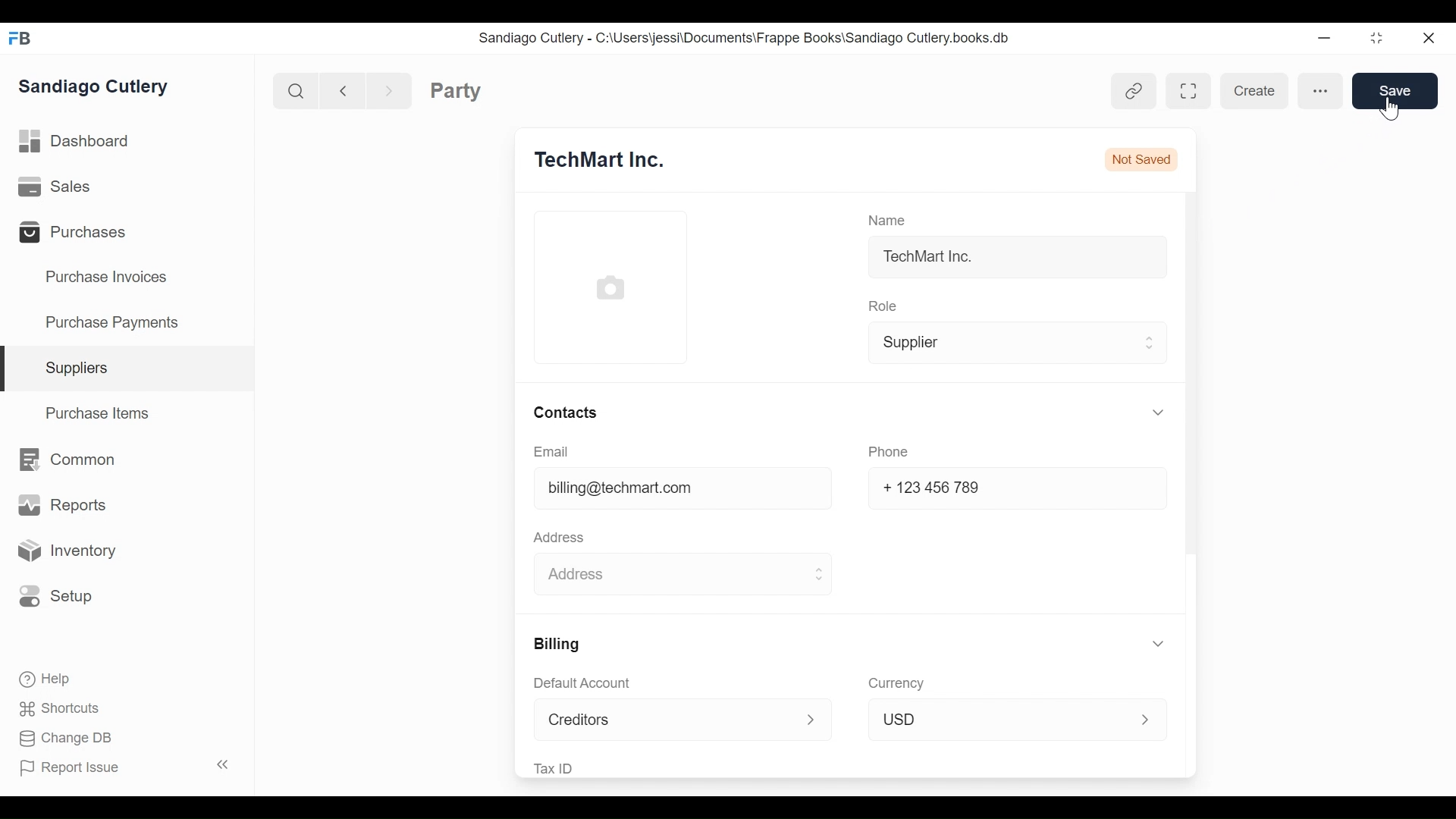  Describe the element at coordinates (24, 35) in the screenshot. I see `Frappebooks Logo` at that location.